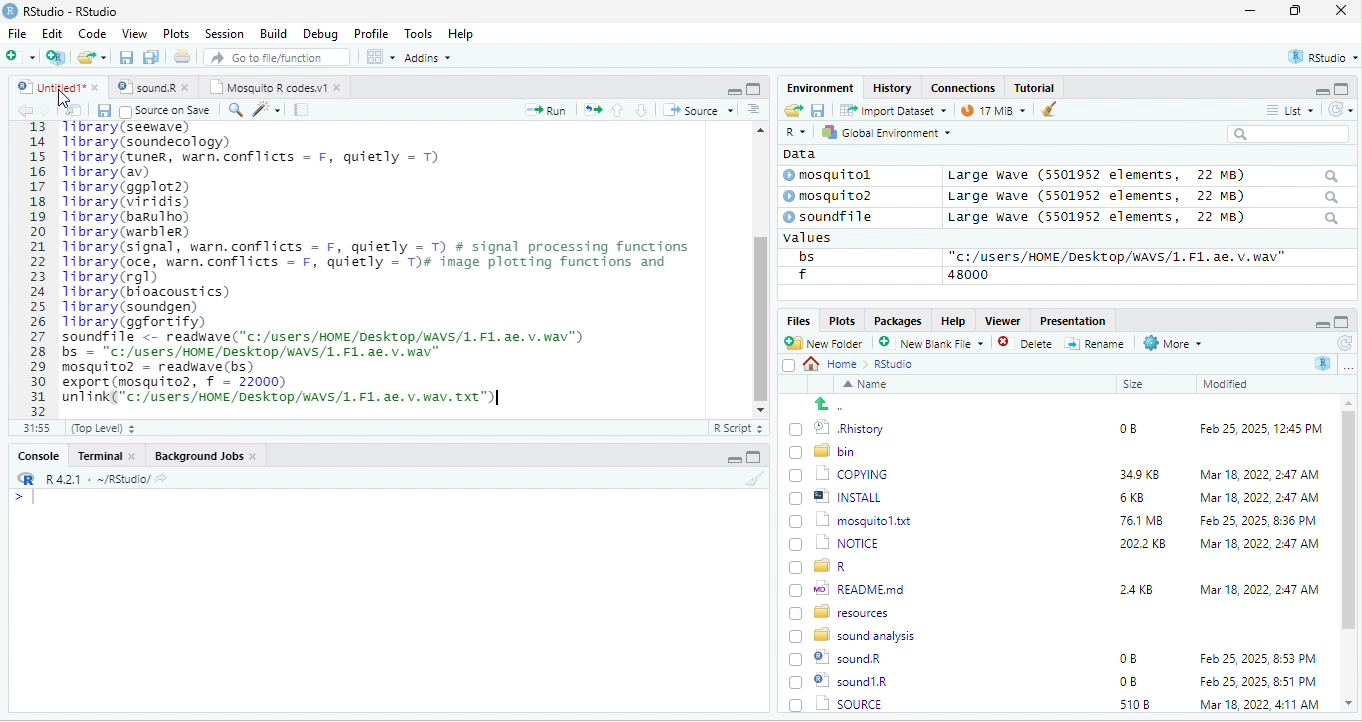 The image size is (1362, 722). I want to click on + Source +, so click(698, 109).